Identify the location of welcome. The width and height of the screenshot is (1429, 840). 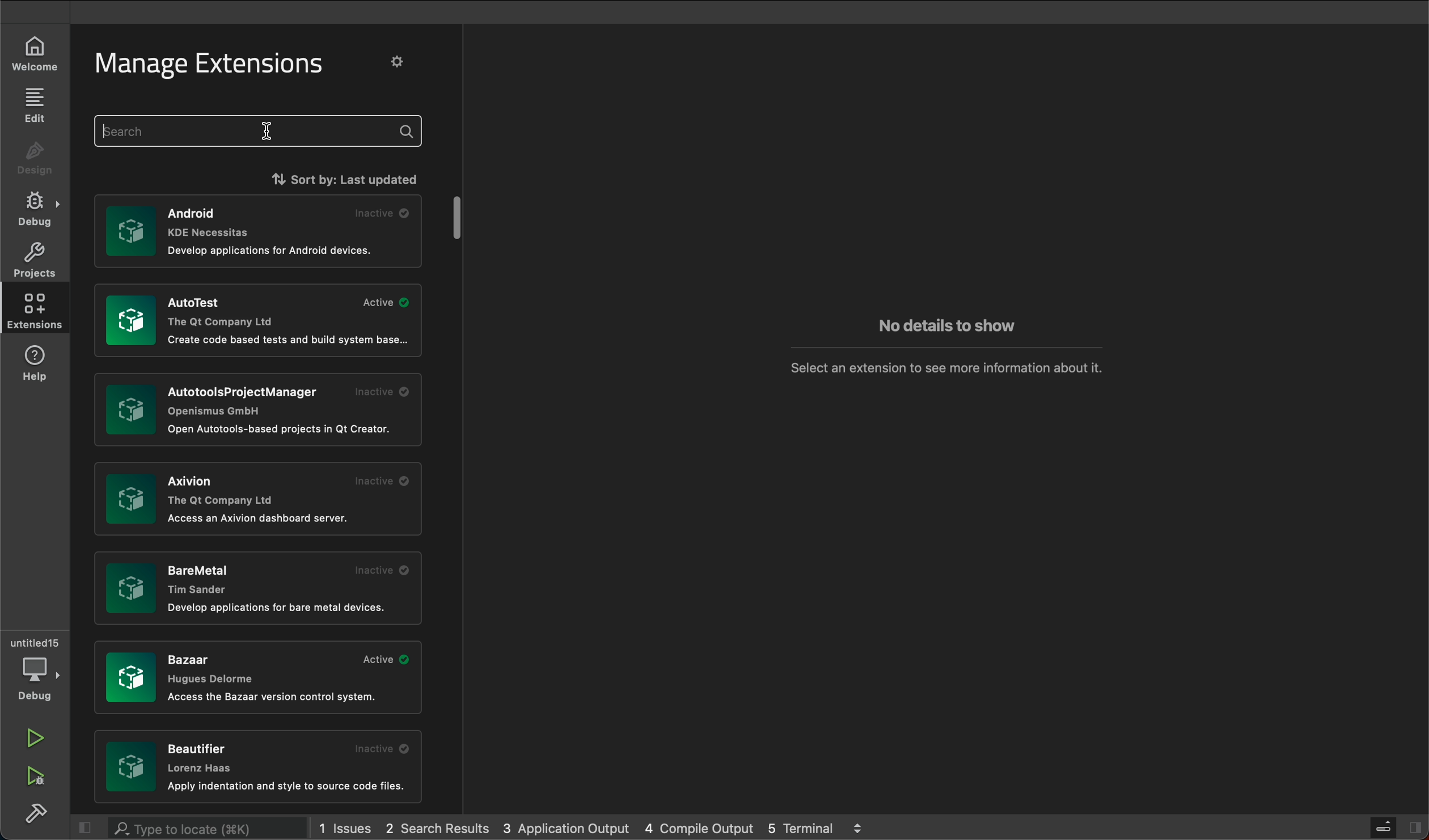
(30, 57).